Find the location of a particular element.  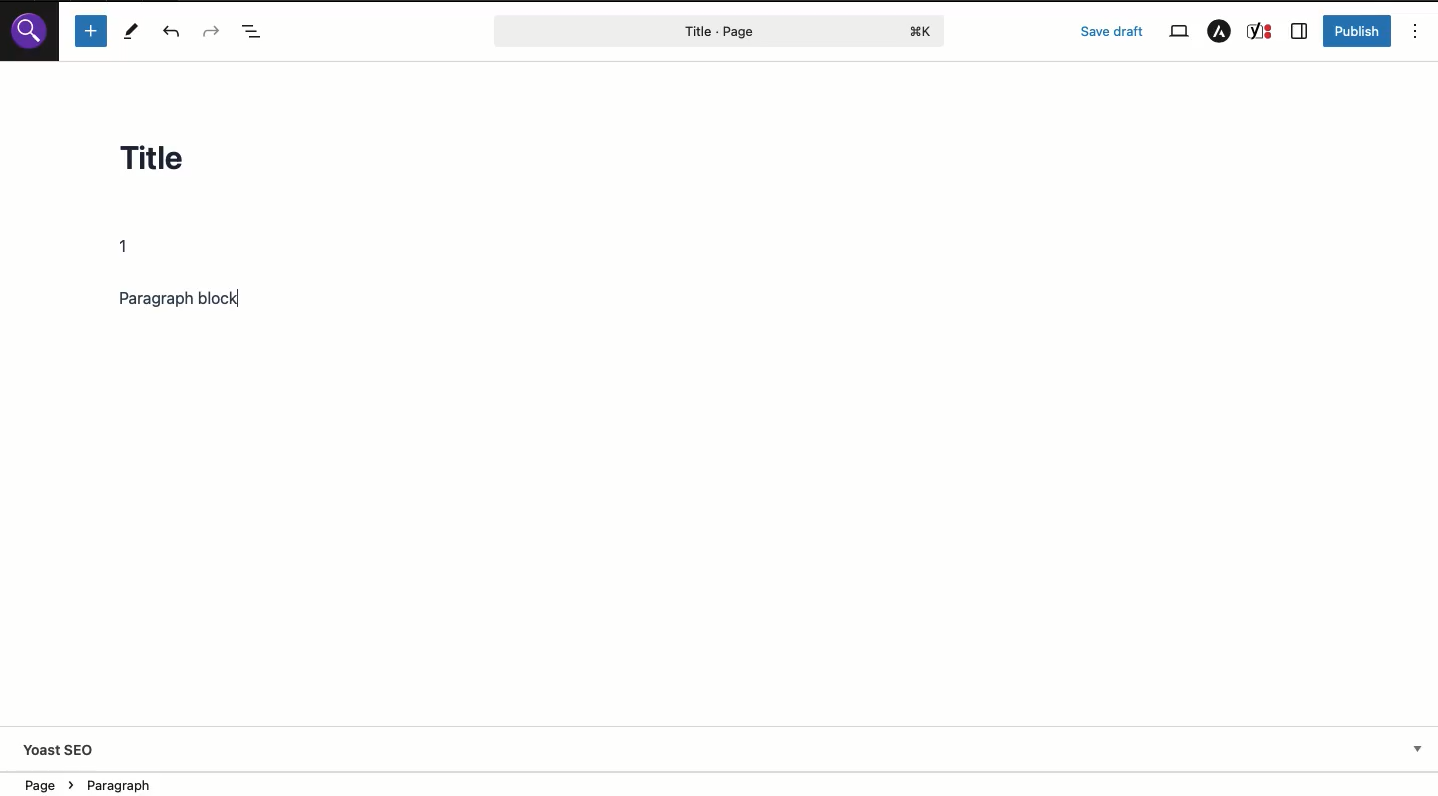

Location is located at coordinates (110, 783).